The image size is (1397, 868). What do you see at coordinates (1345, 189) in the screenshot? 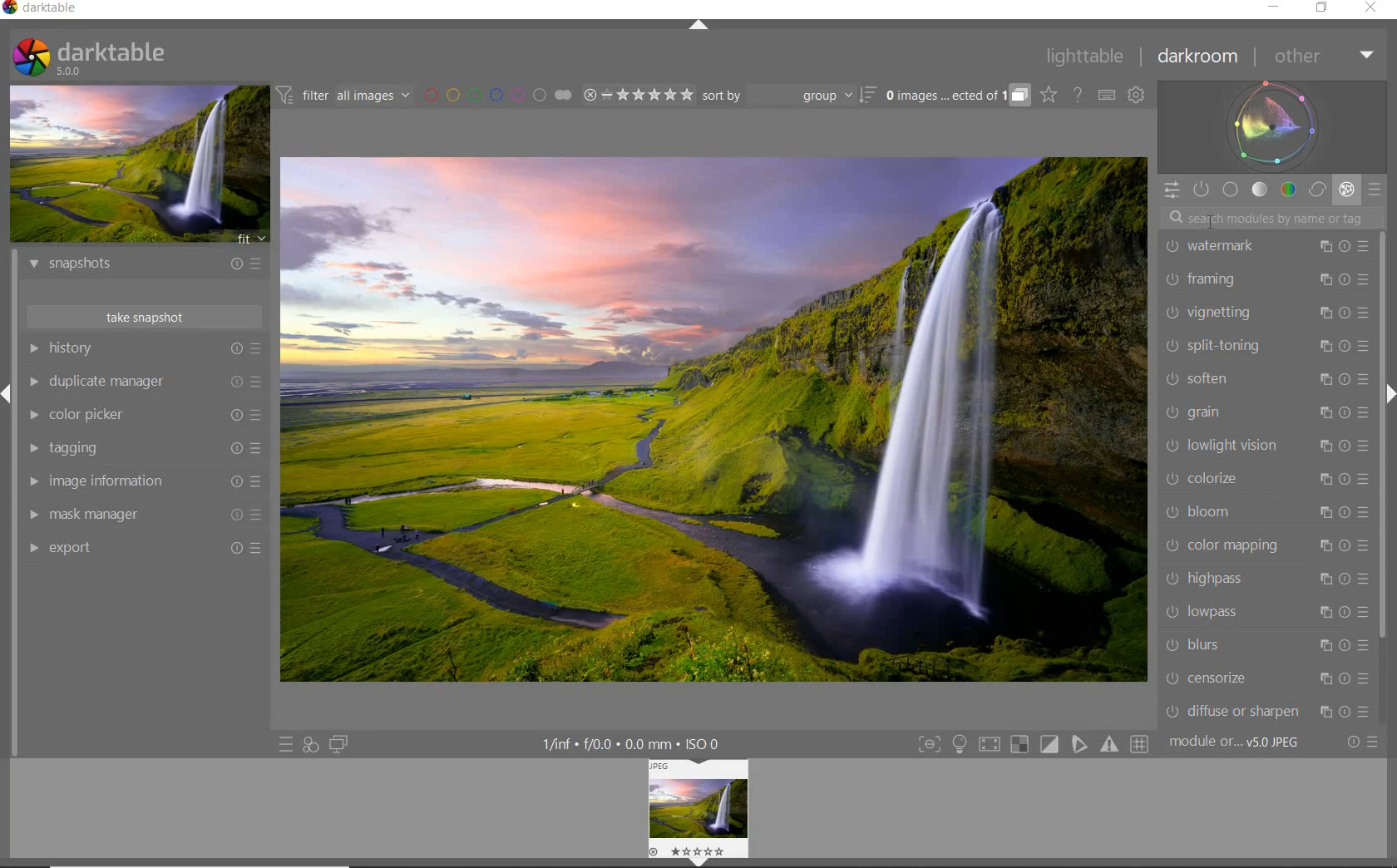
I see `effect` at bounding box center [1345, 189].